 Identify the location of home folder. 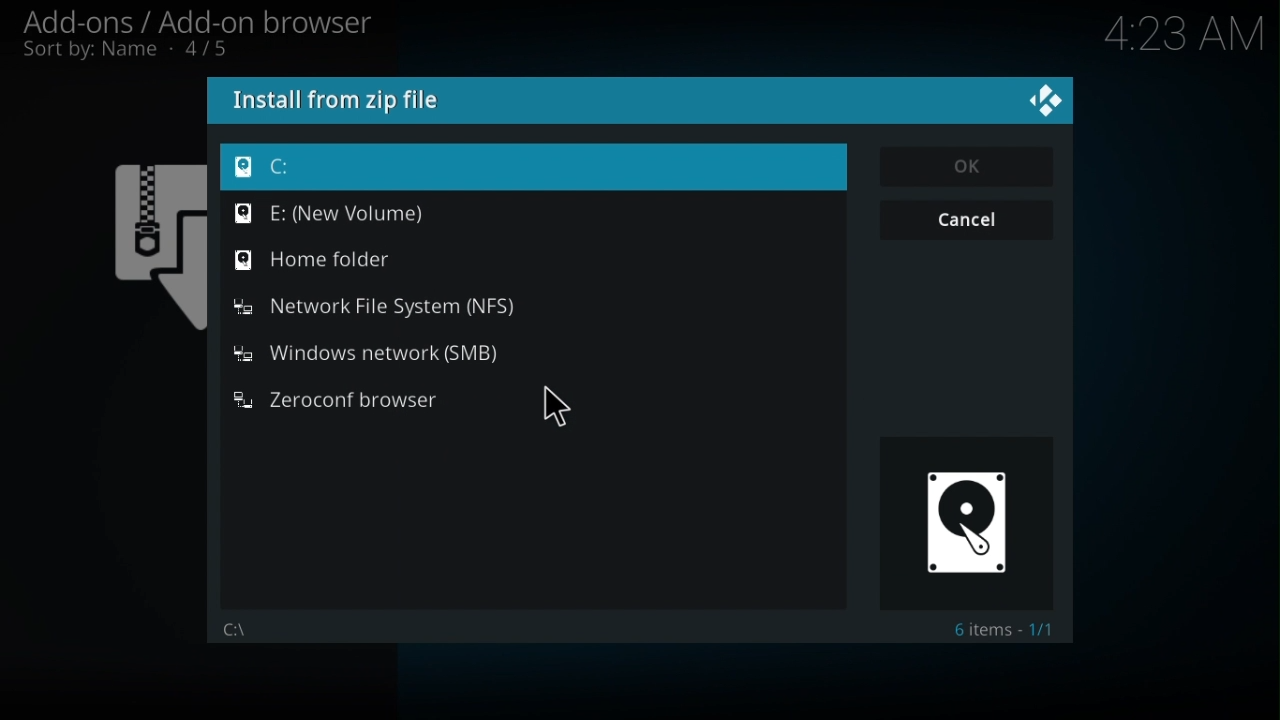
(337, 261).